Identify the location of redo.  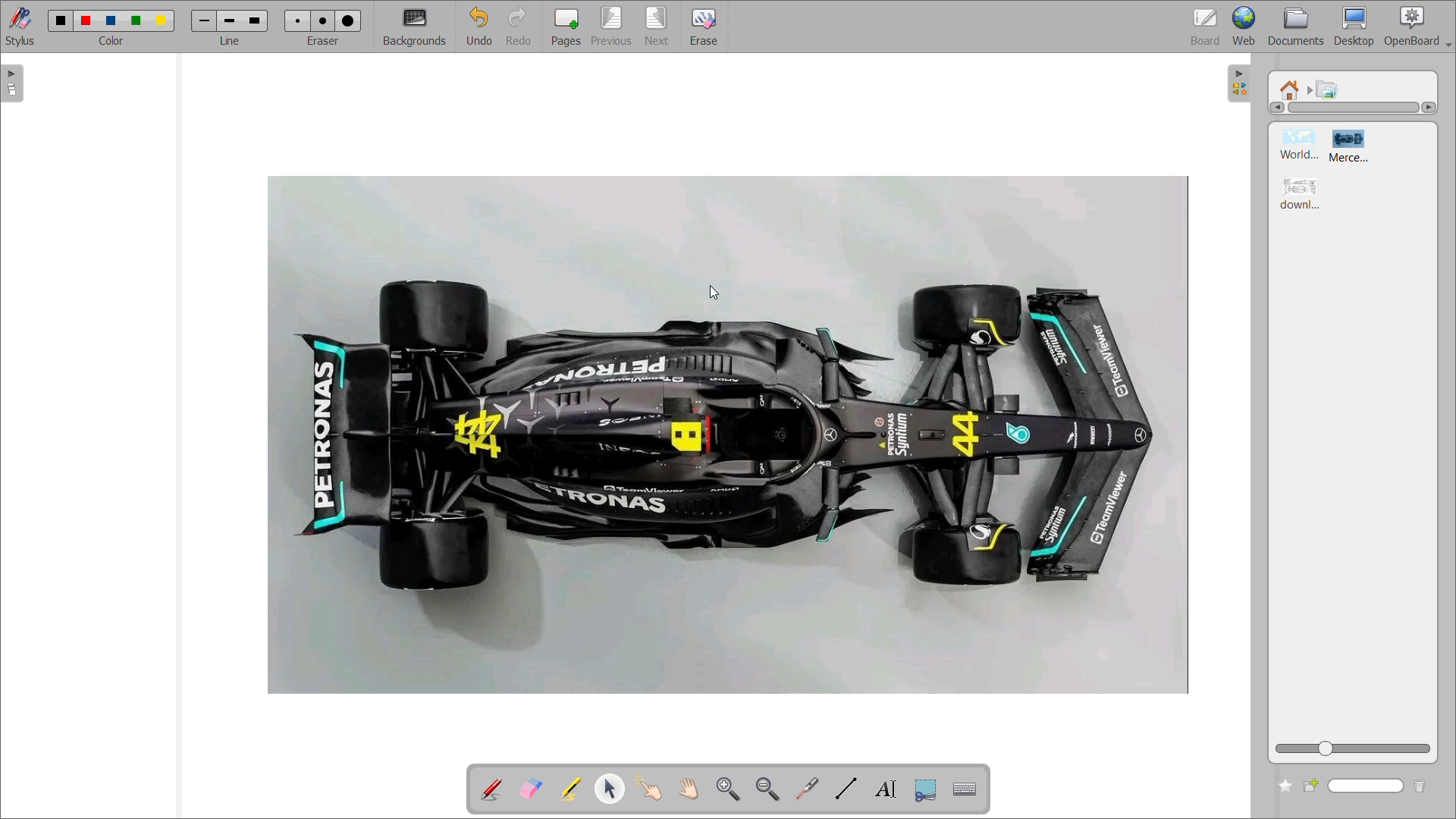
(519, 25).